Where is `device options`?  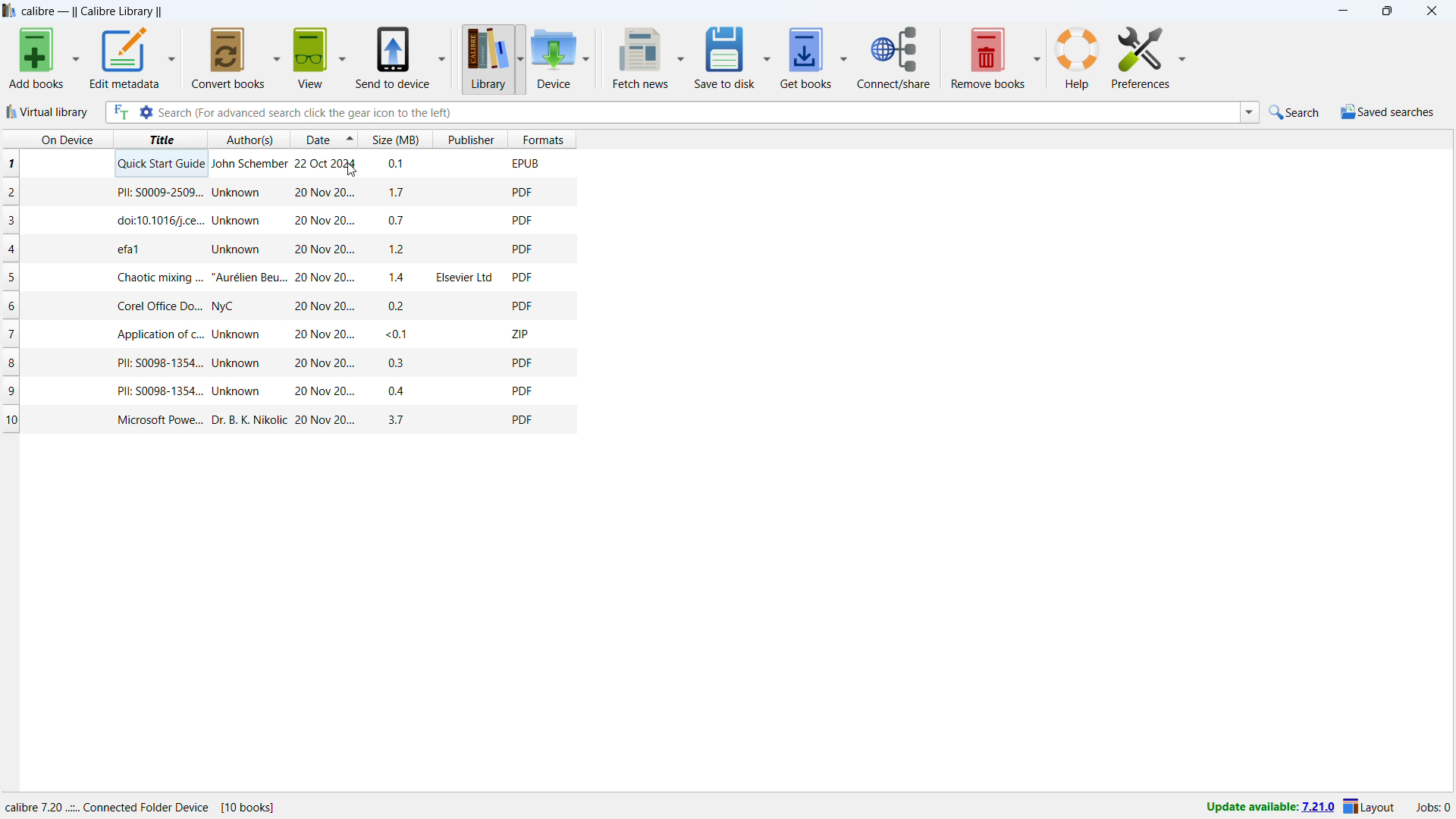 device options is located at coordinates (587, 58).